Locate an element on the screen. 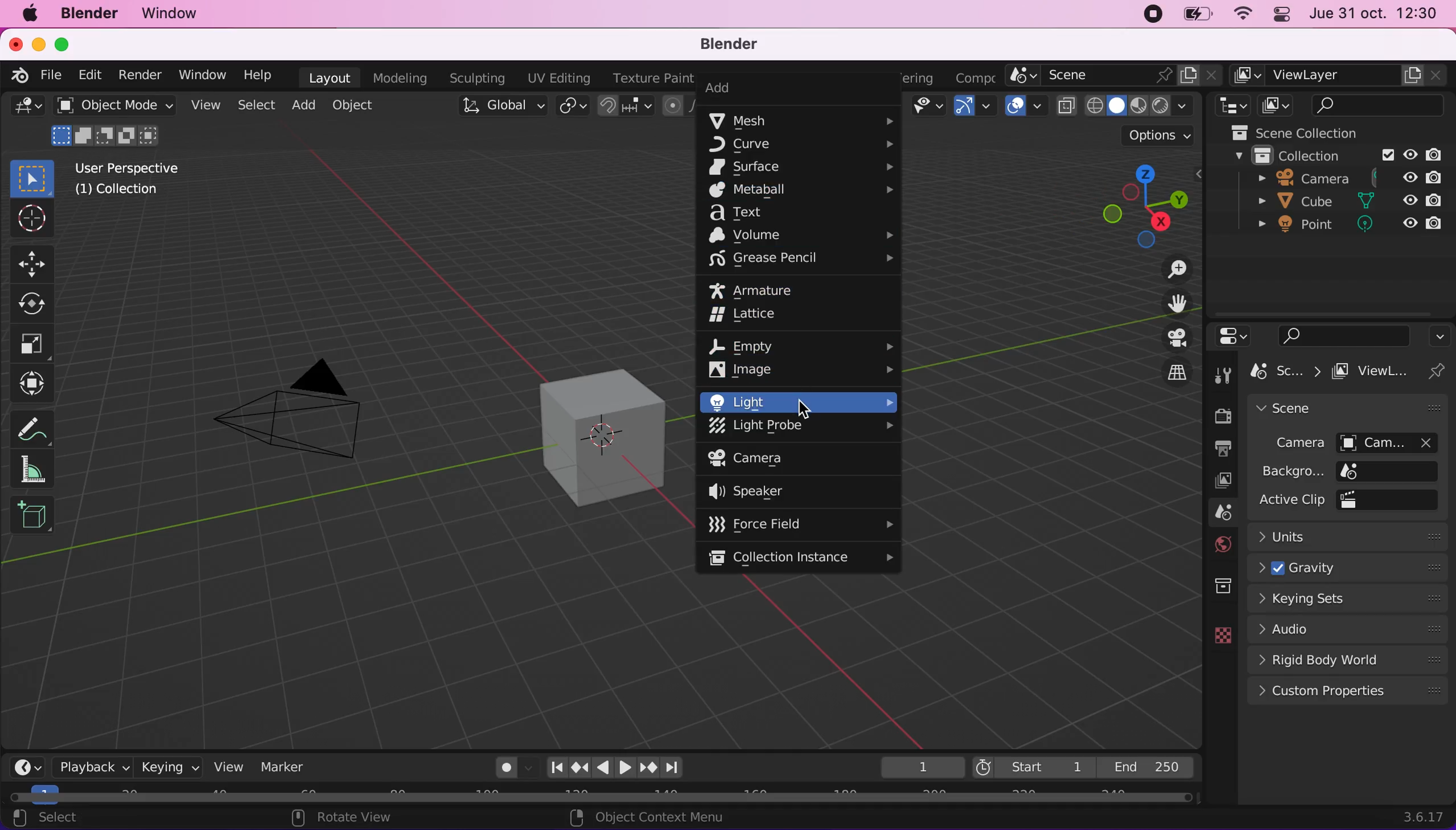 This screenshot has height=830, width=1456. options is located at coordinates (1438, 335).